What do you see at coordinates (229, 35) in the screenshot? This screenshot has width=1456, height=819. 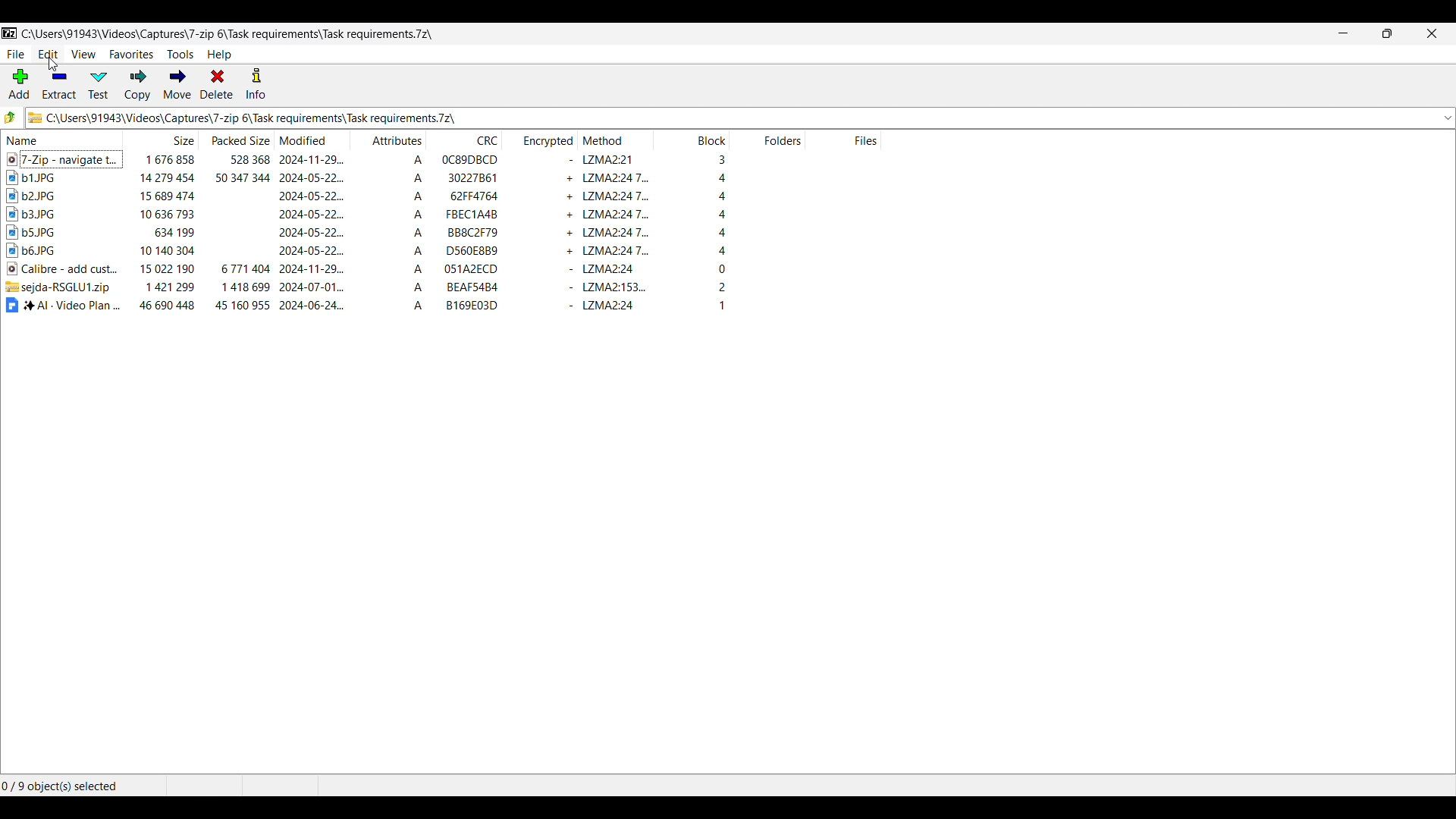 I see `Location of current folder` at bounding box center [229, 35].